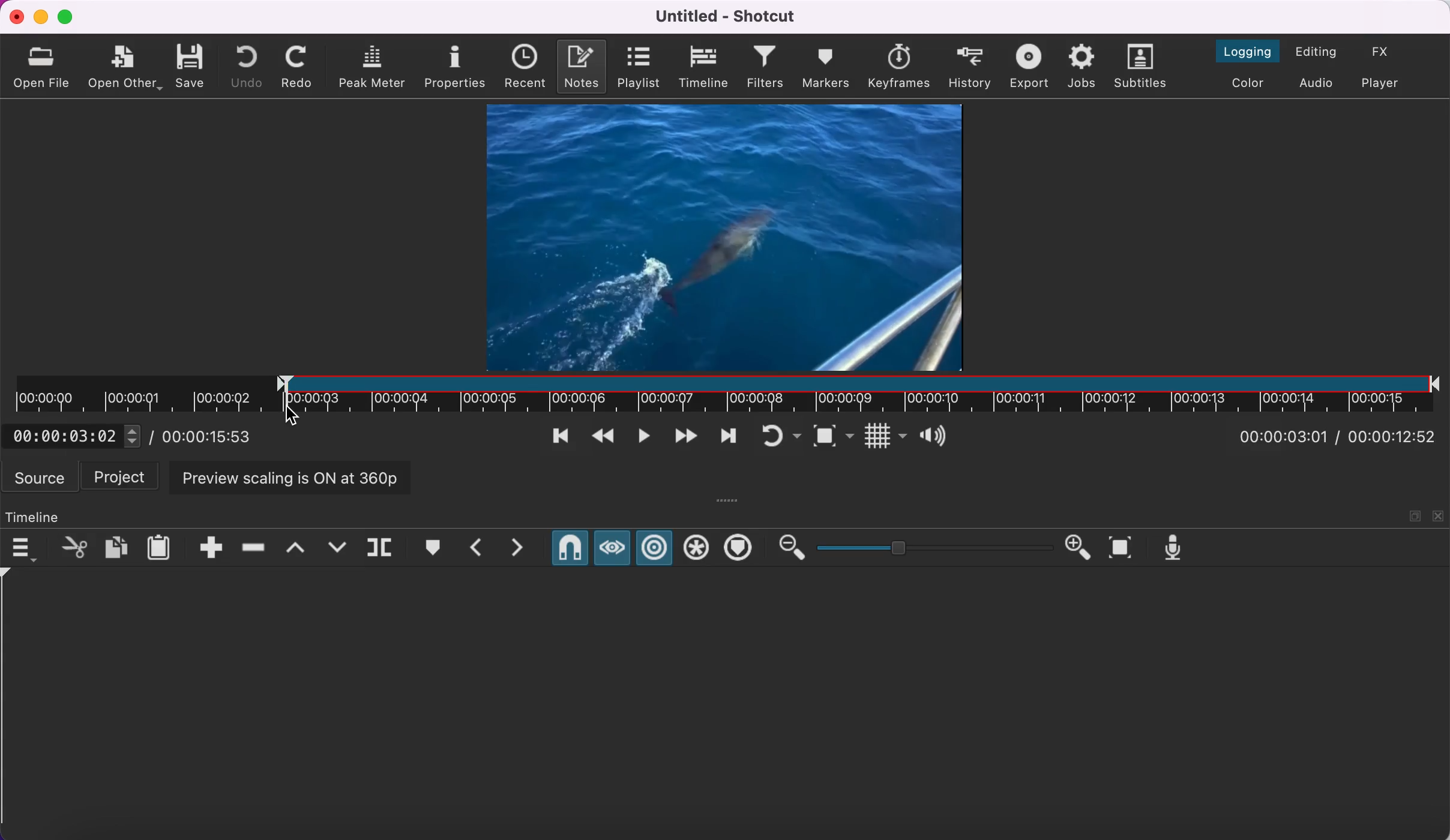  What do you see at coordinates (1386, 85) in the screenshot?
I see `switch to player only layout` at bounding box center [1386, 85].